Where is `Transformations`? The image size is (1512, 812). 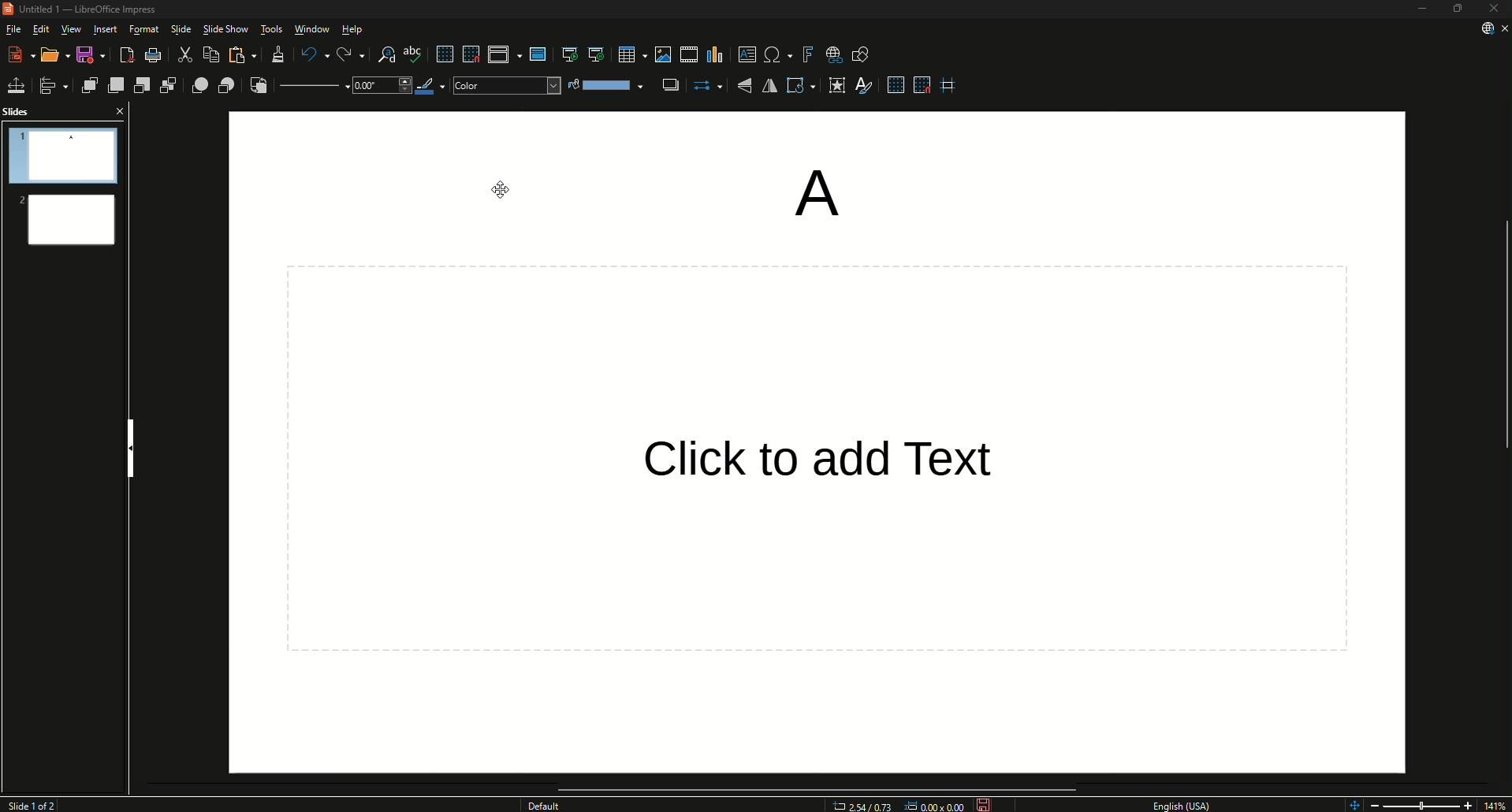
Transformations is located at coordinates (803, 87).